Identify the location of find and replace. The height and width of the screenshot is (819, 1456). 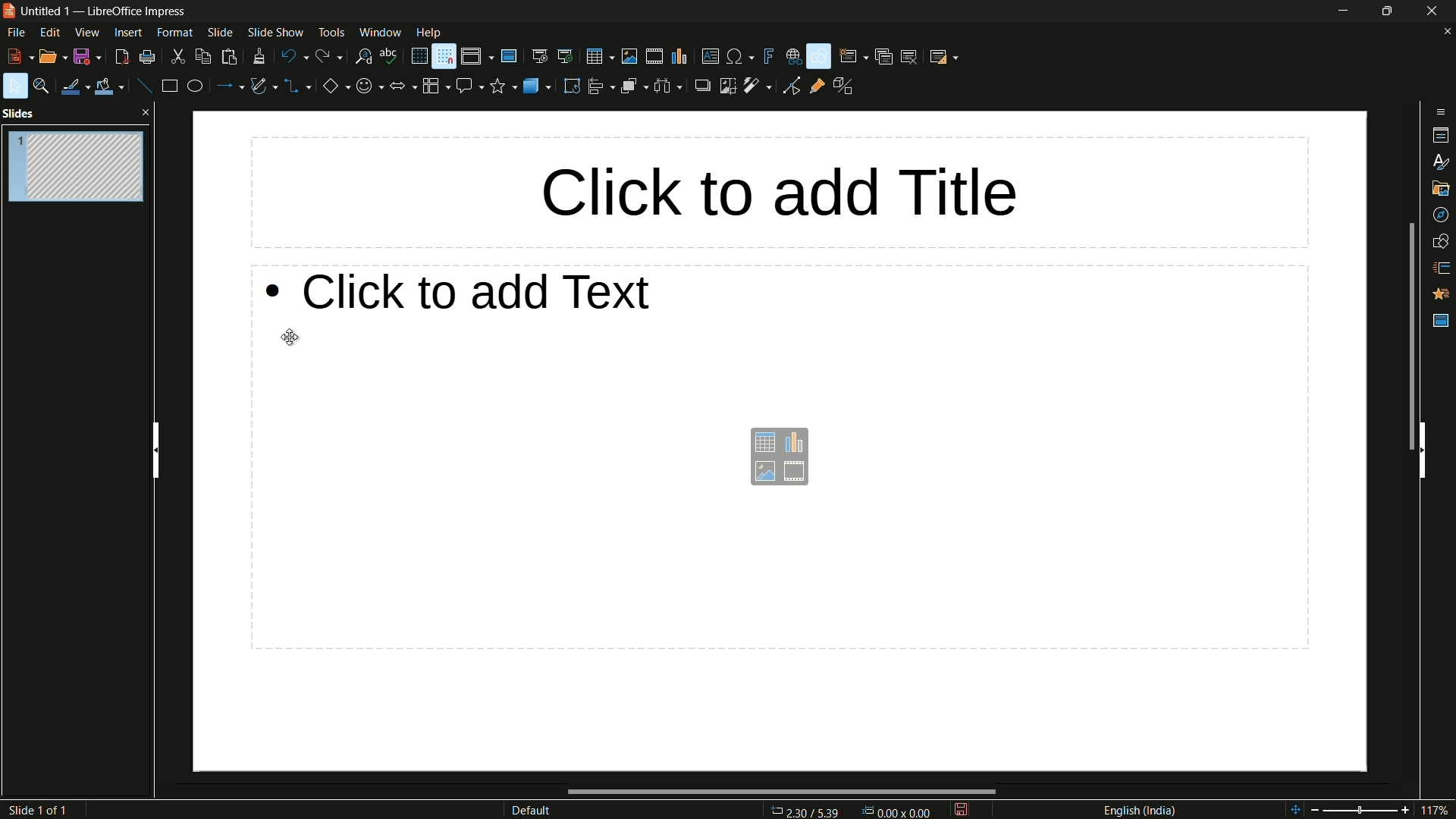
(361, 58).